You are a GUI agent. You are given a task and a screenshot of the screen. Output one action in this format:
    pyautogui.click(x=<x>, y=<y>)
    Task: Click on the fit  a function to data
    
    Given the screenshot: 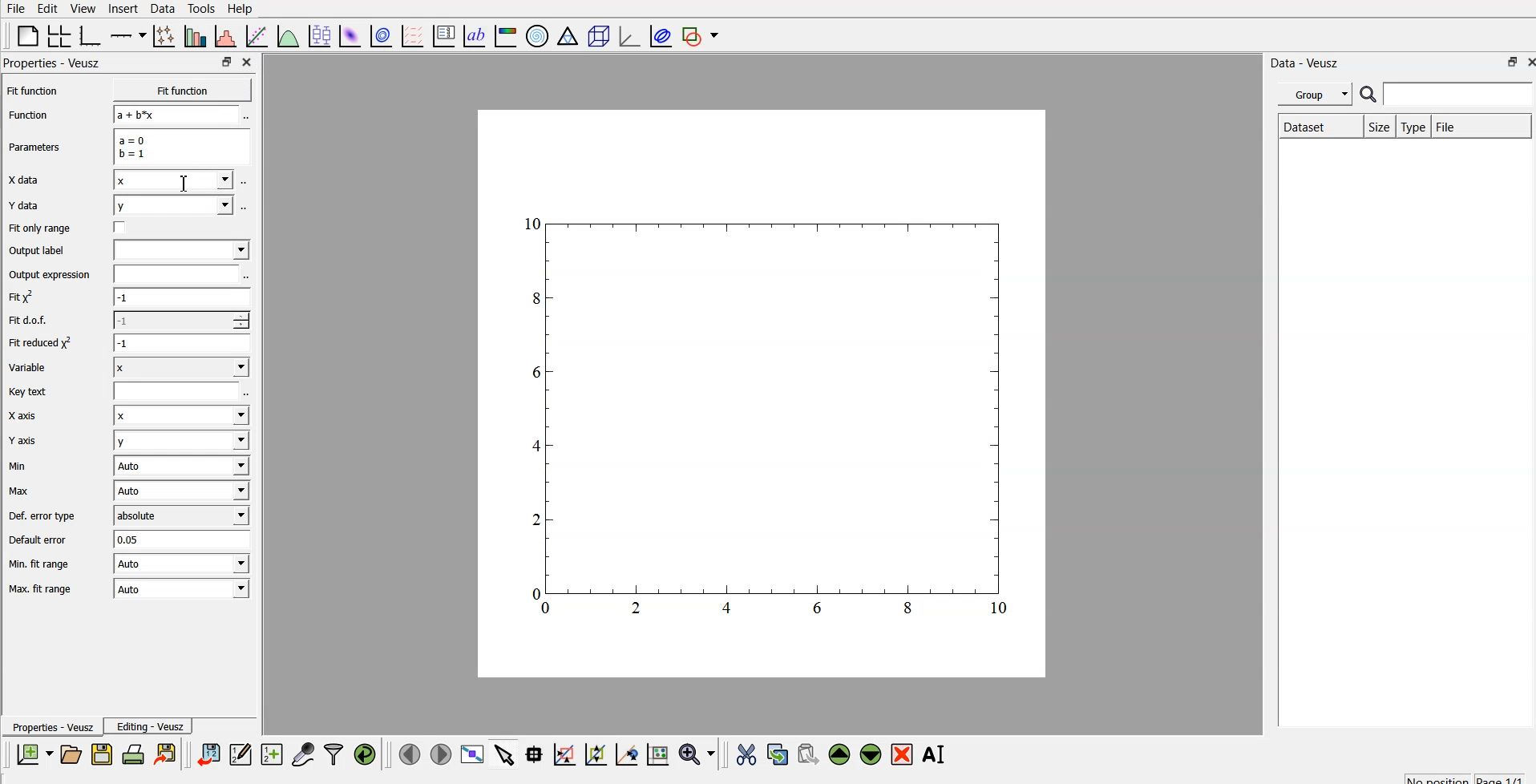 What is the action you would take?
    pyautogui.click(x=256, y=38)
    